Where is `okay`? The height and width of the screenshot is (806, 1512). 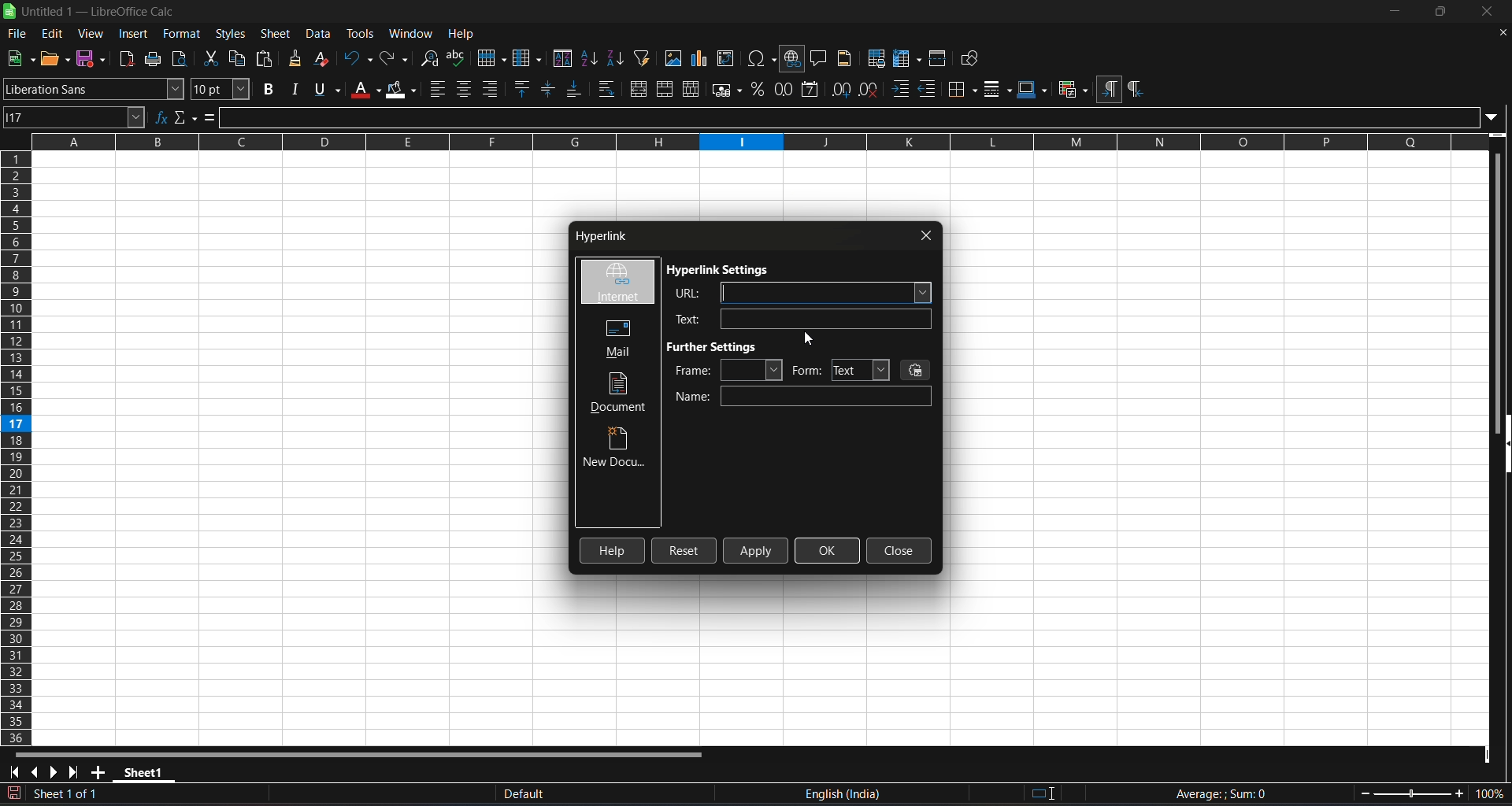
okay is located at coordinates (828, 550).